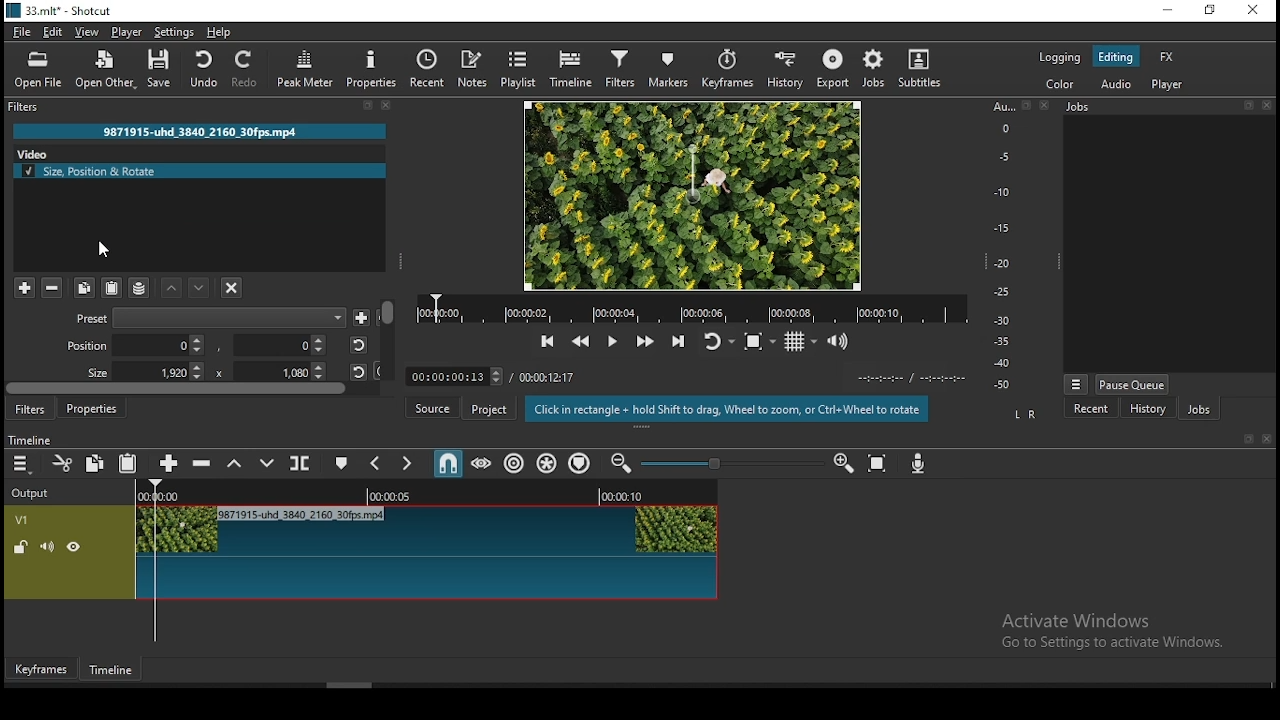 The image size is (1280, 720). What do you see at coordinates (548, 339) in the screenshot?
I see `skip to previous point` at bounding box center [548, 339].